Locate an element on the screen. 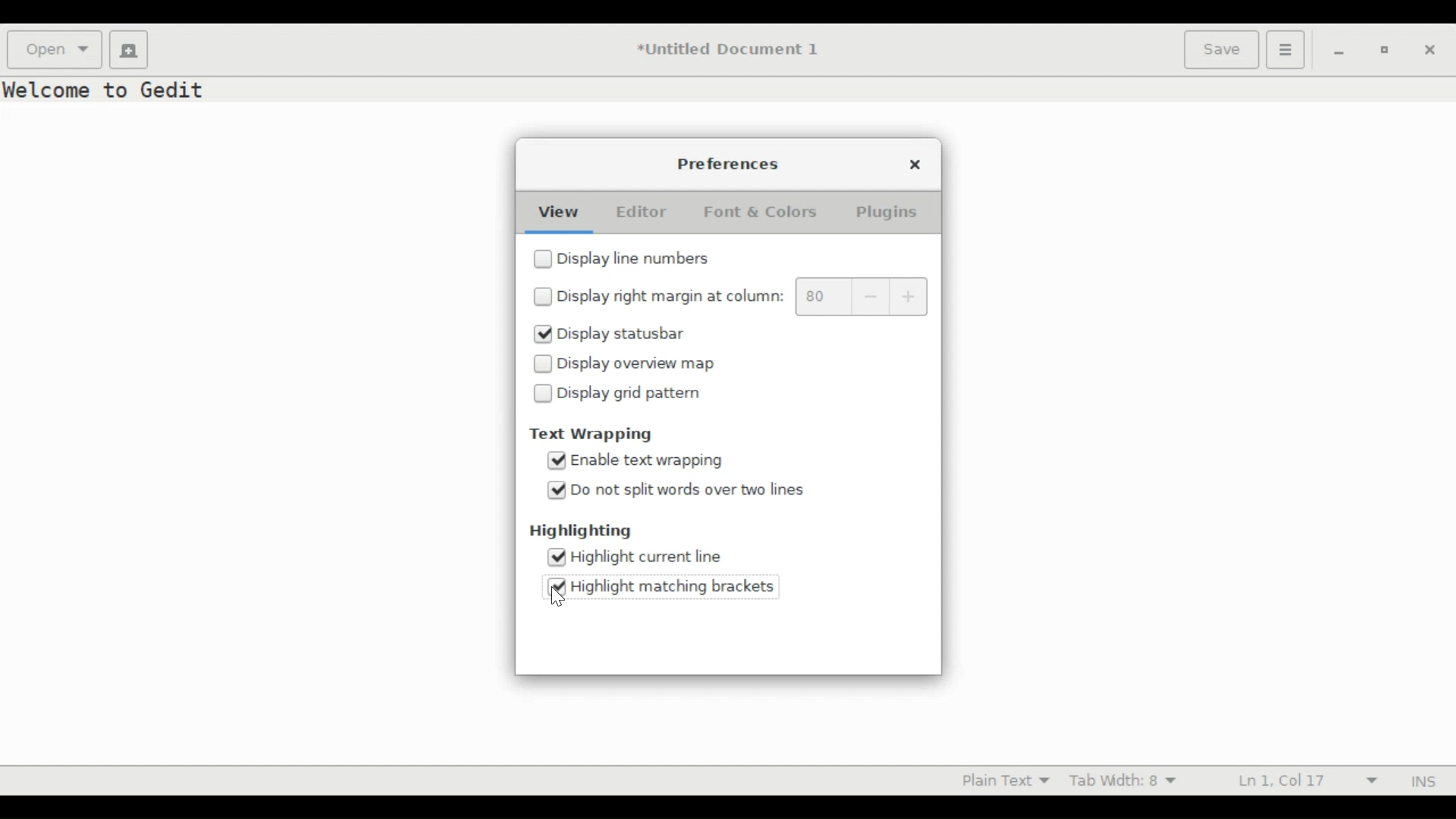 This screenshot has width=1456, height=819. Save is located at coordinates (1221, 50).